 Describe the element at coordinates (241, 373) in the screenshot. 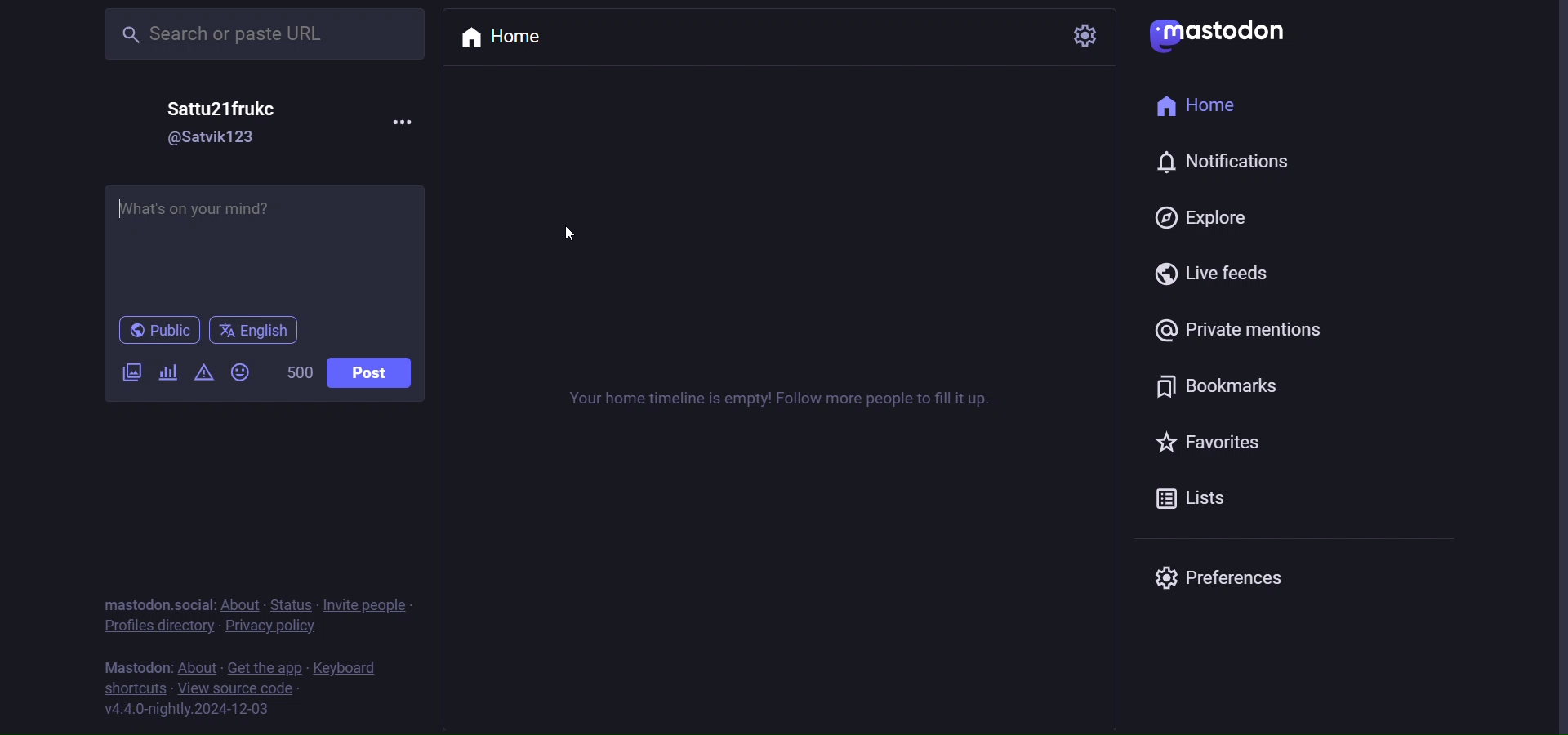

I see `emoji` at that location.